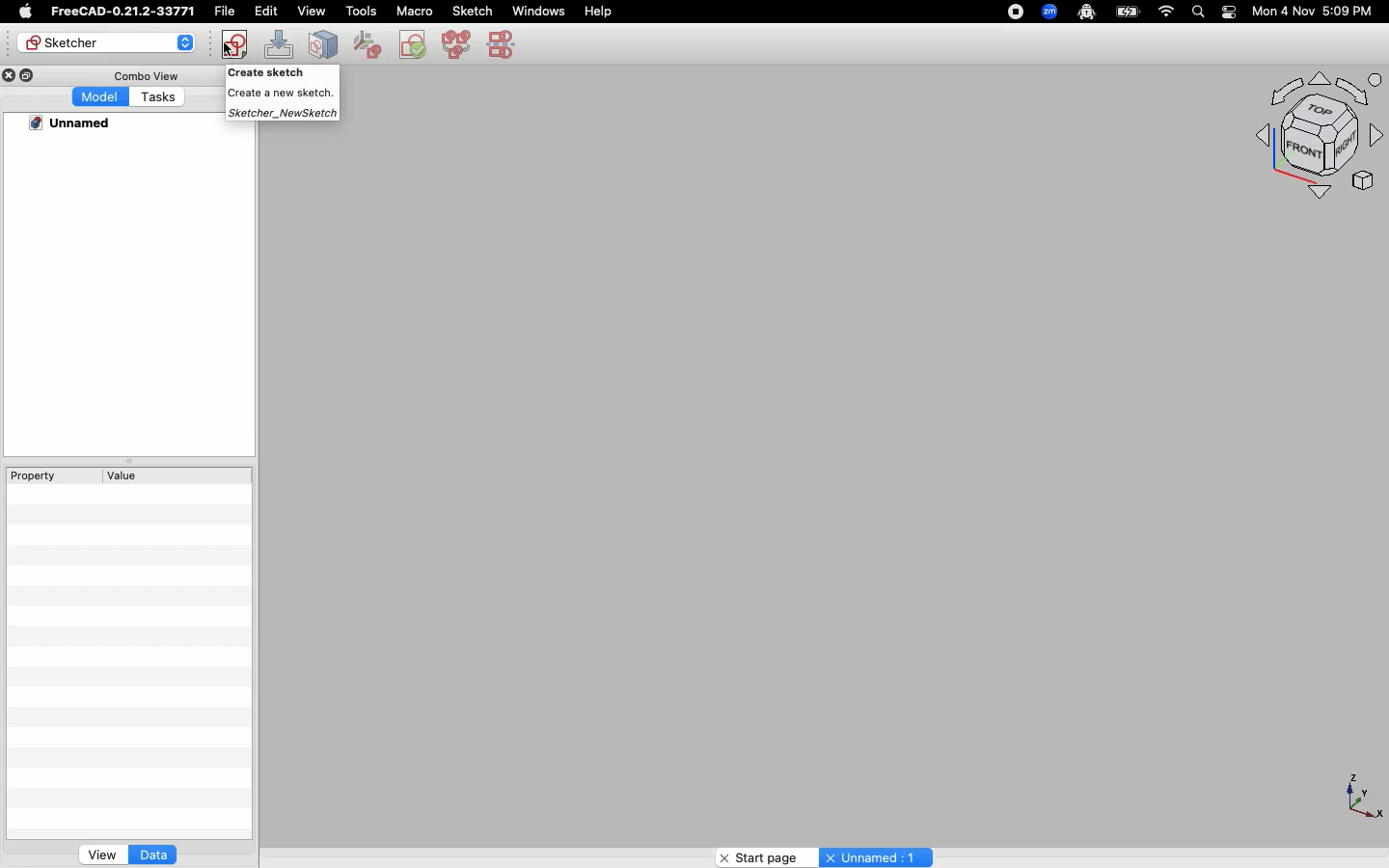 This screenshot has width=1389, height=868. Describe the element at coordinates (176, 471) in the screenshot. I see `Value` at that location.